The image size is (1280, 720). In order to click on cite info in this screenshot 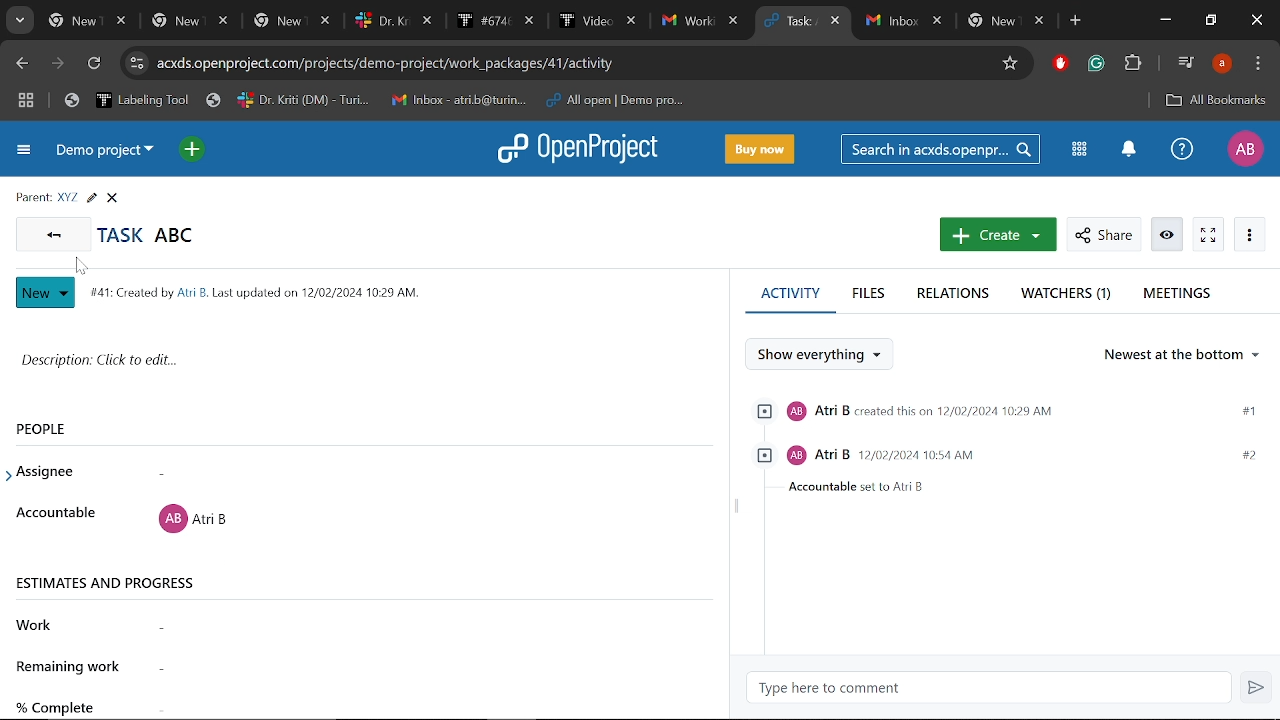, I will do `click(138, 62)`.